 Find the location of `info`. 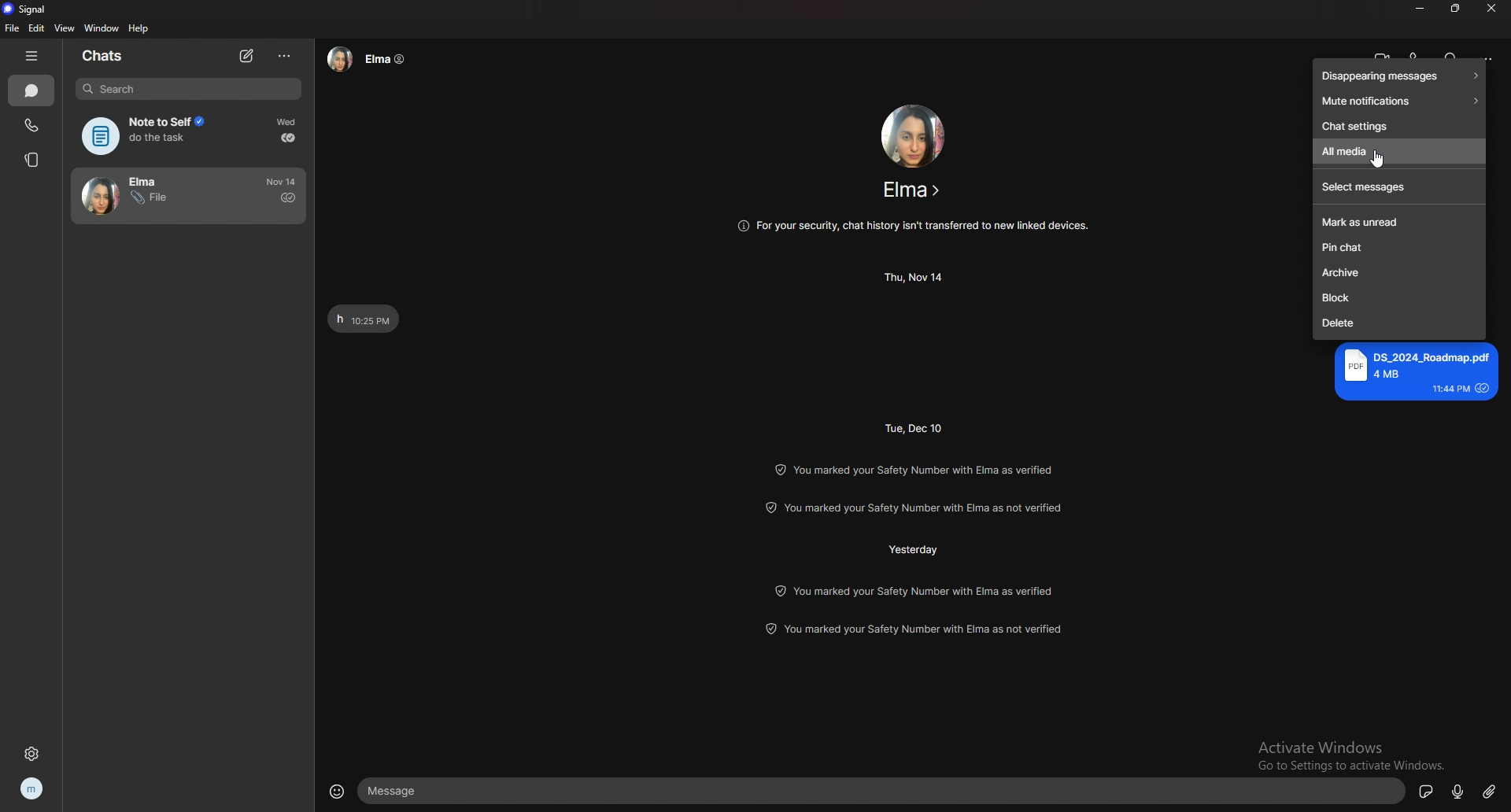

info is located at coordinates (914, 628).